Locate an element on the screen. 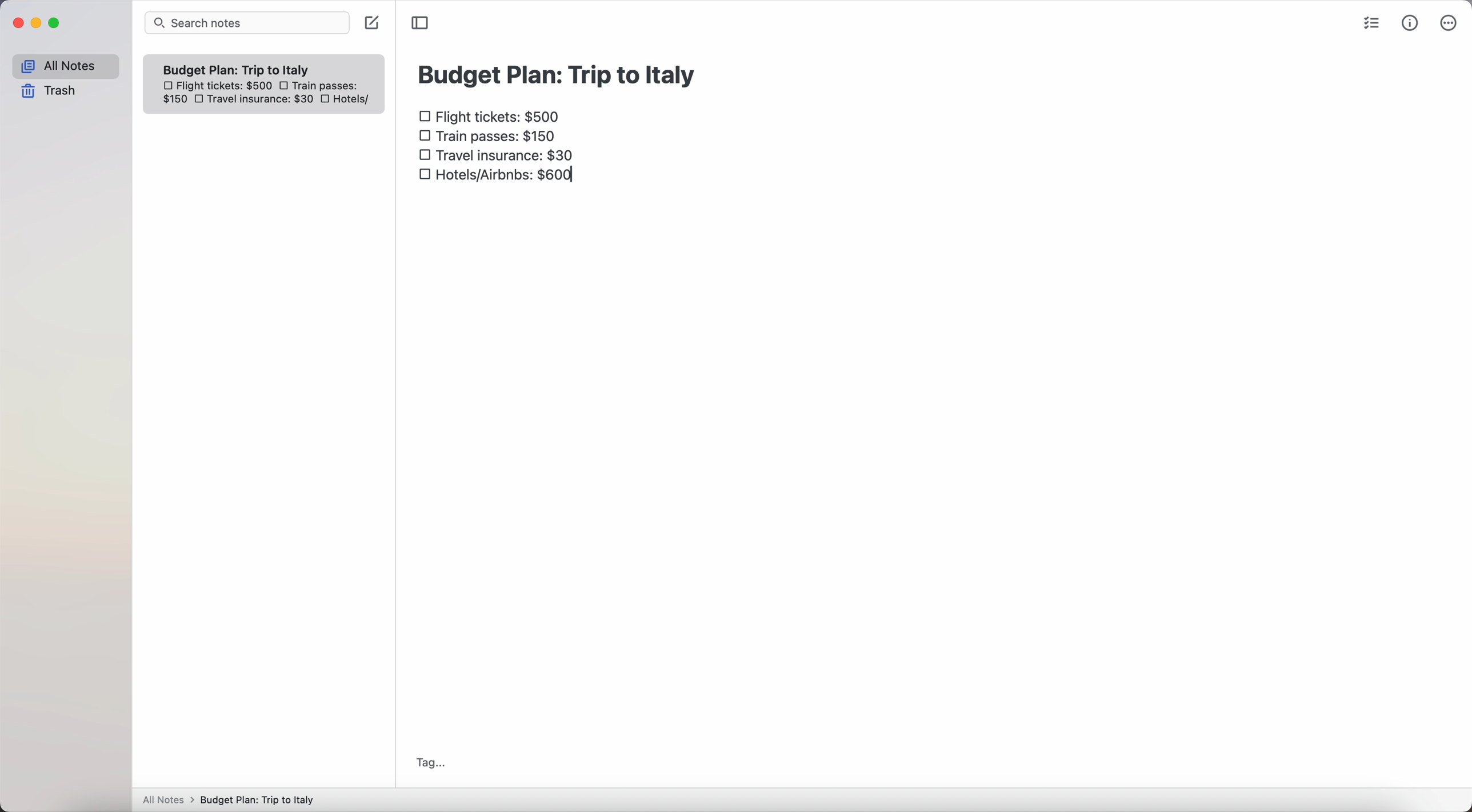 The height and width of the screenshot is (812, 1472). minimize is located at coordinates (39, 23).